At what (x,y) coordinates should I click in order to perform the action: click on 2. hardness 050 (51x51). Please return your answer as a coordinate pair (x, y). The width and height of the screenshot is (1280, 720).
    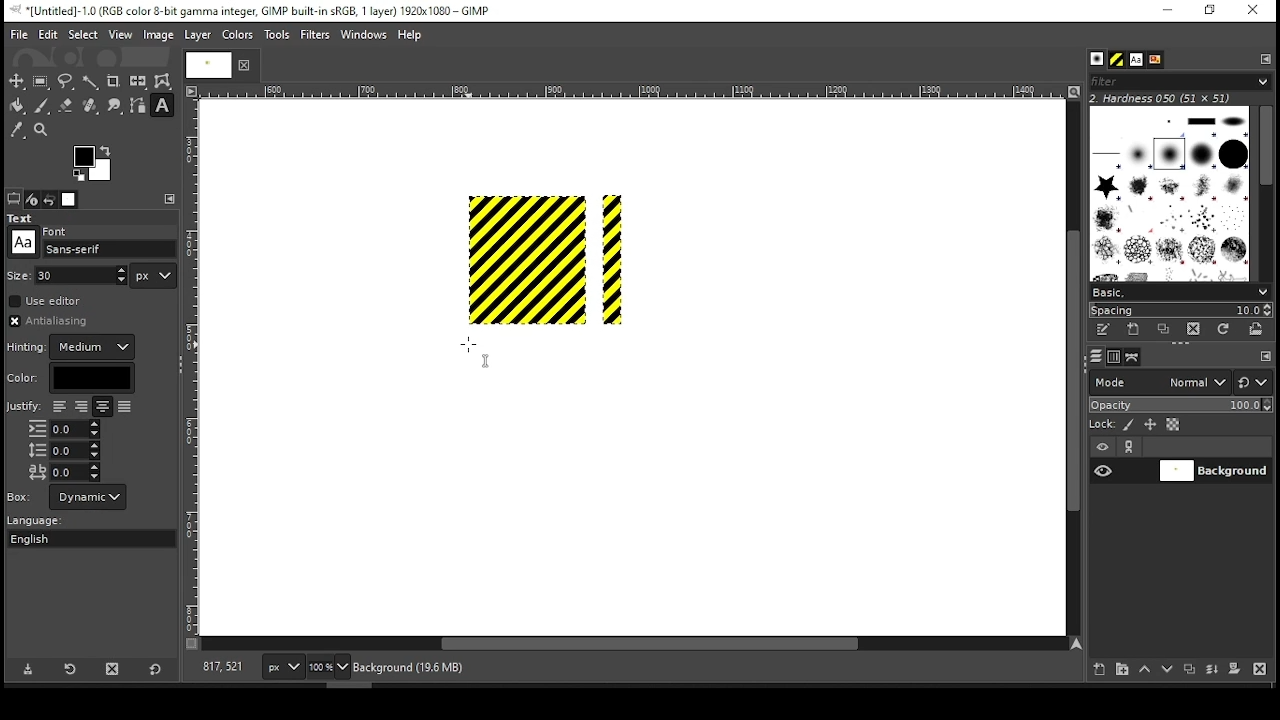
    Looking at the image, I should click on (1166, 98).